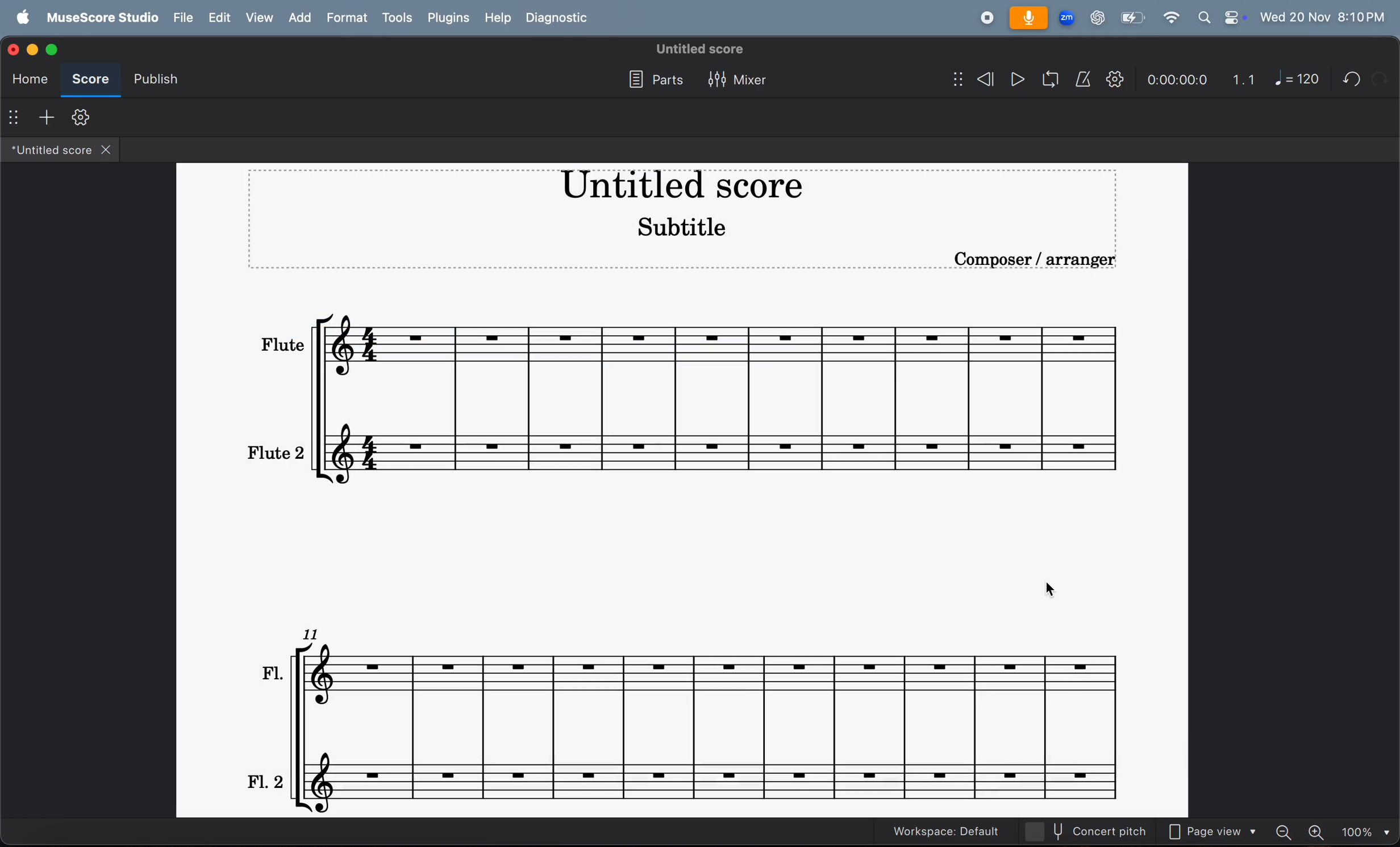 The width and height of the screenshot is (1400, 847). Describe the element at coordinates (1084, 80) in the screenshot. I see `metronome` at that location.